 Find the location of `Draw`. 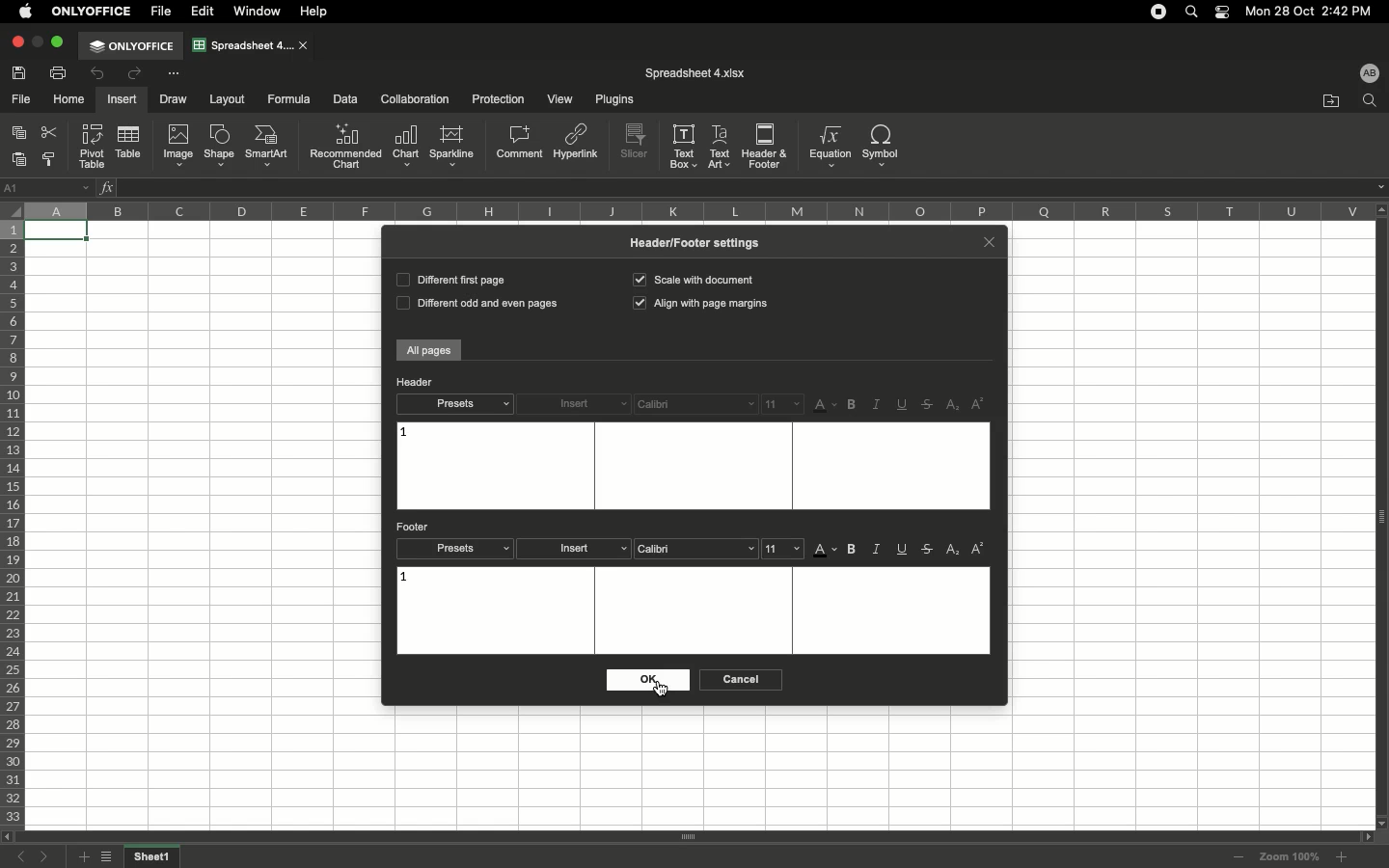

Draw is located at coordinates (176, 98).